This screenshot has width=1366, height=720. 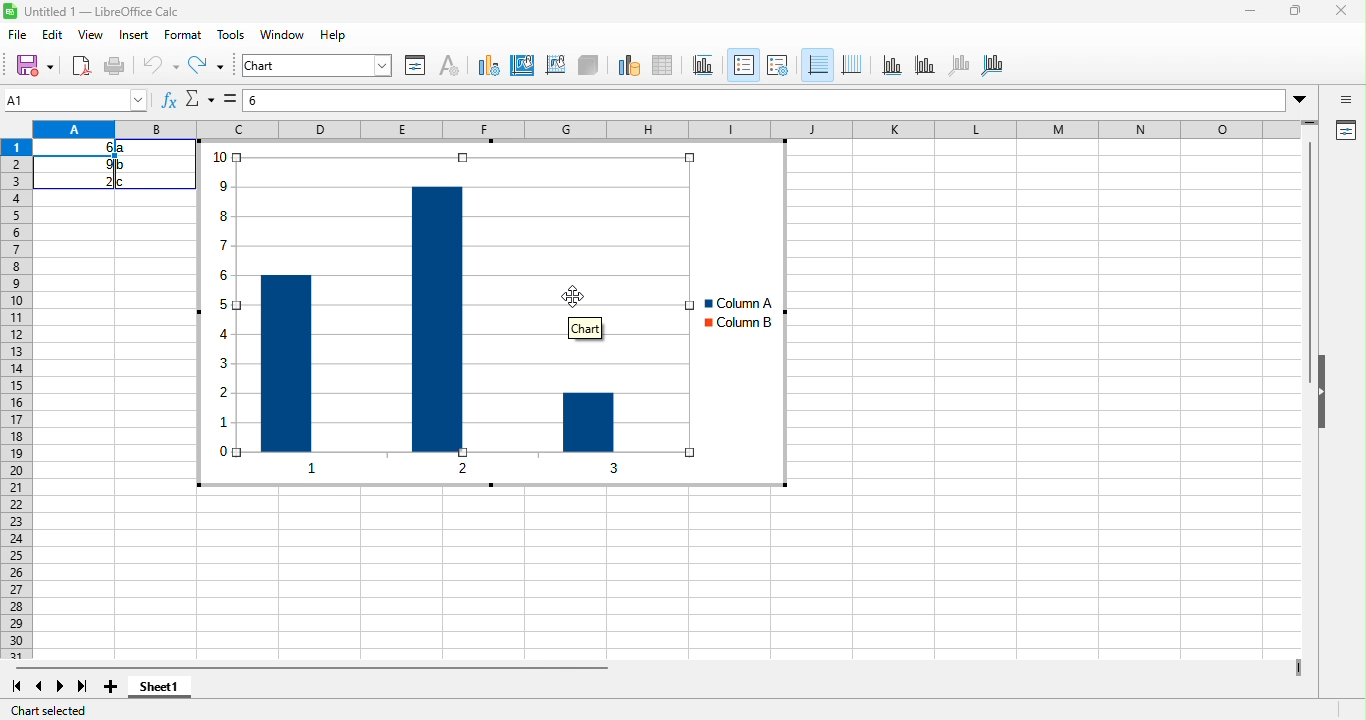 What do you see at coordinates (21, 688) in the screenshot?
I see `first` at bounding box center [21, 688].